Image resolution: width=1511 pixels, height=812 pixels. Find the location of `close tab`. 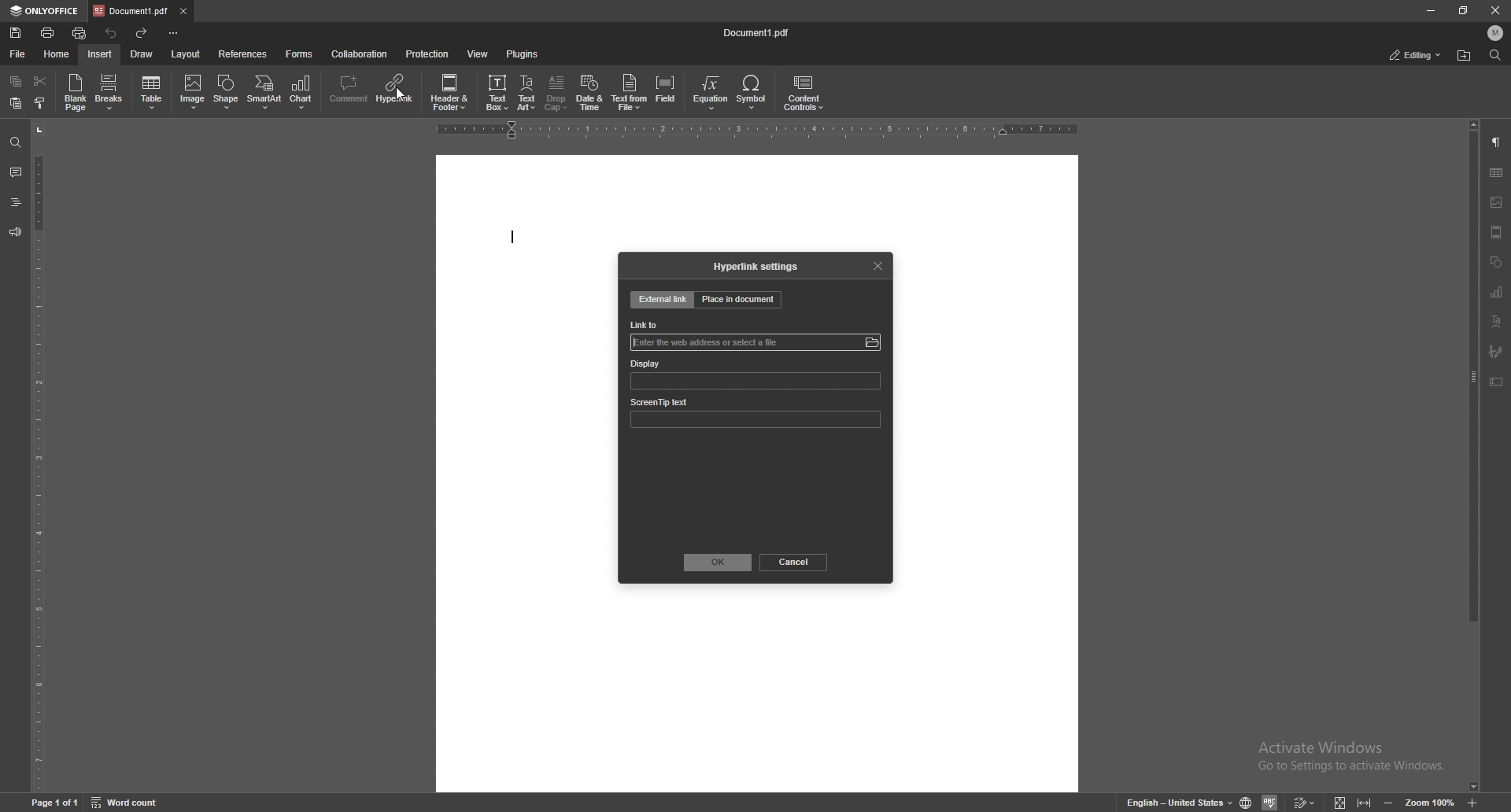

close tab is located at coordinates (183, 12).